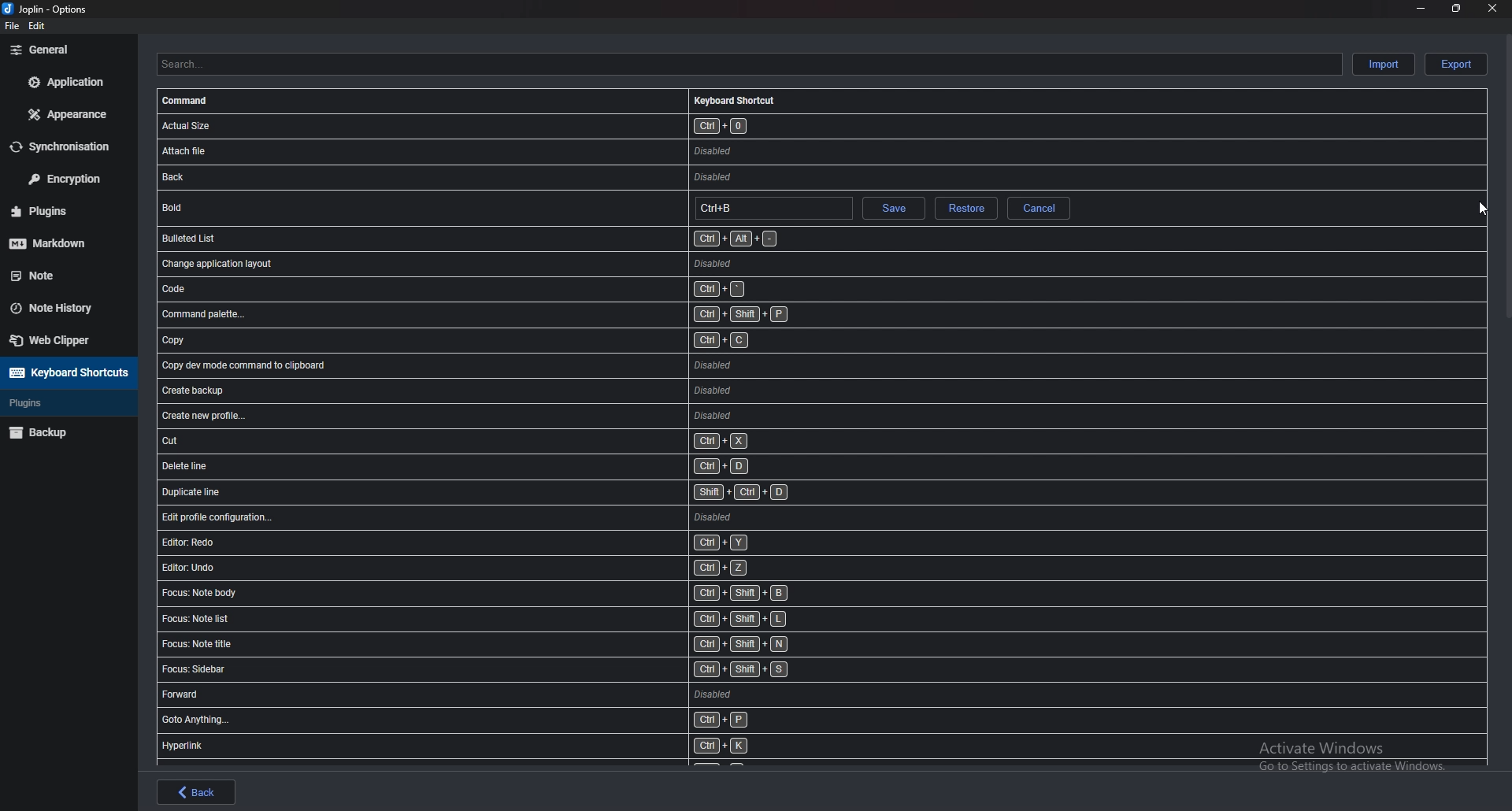 Image resolution: width=1512 pixels, height=811 pixels. I want to click on Plugins, so click(57, 211).